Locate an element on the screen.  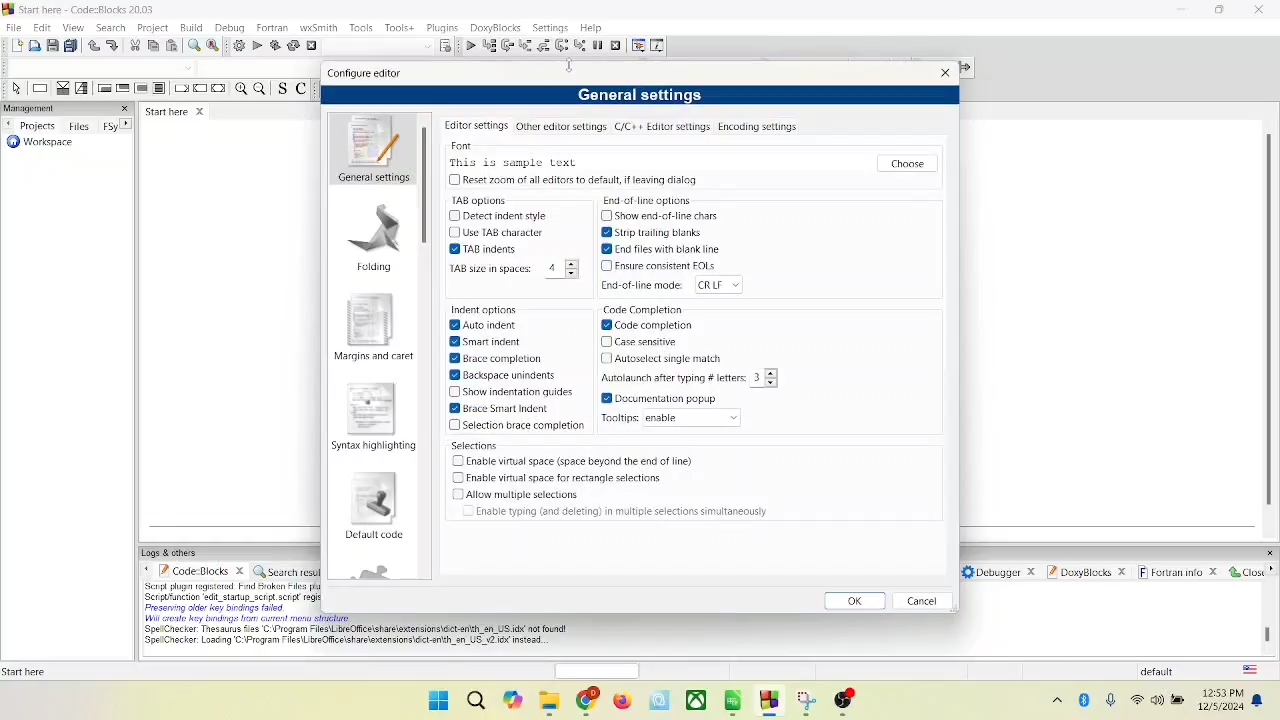
new is located at coordinates (15, 46).